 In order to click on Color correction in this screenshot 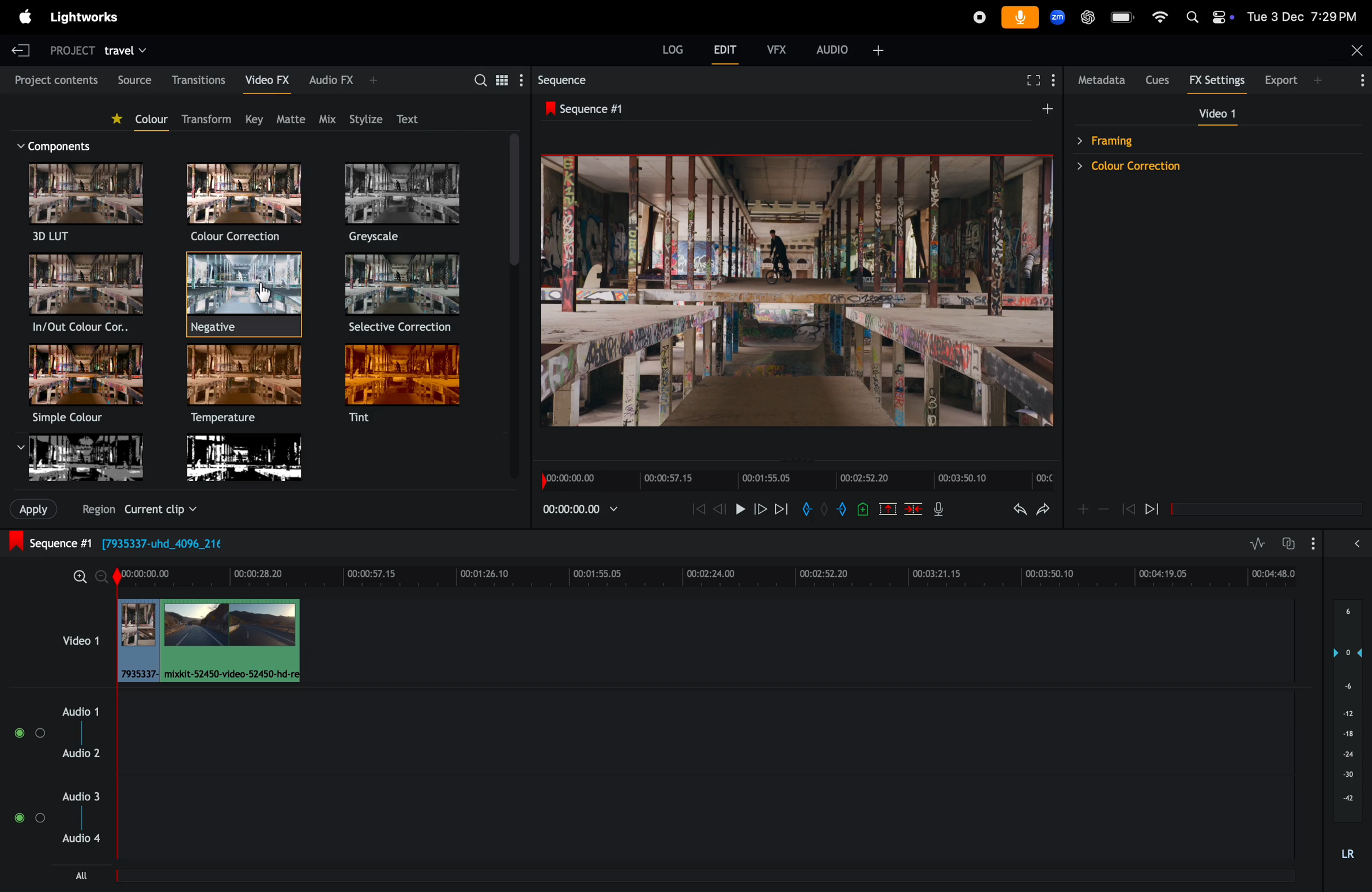, I will do `click(246, 205)`.